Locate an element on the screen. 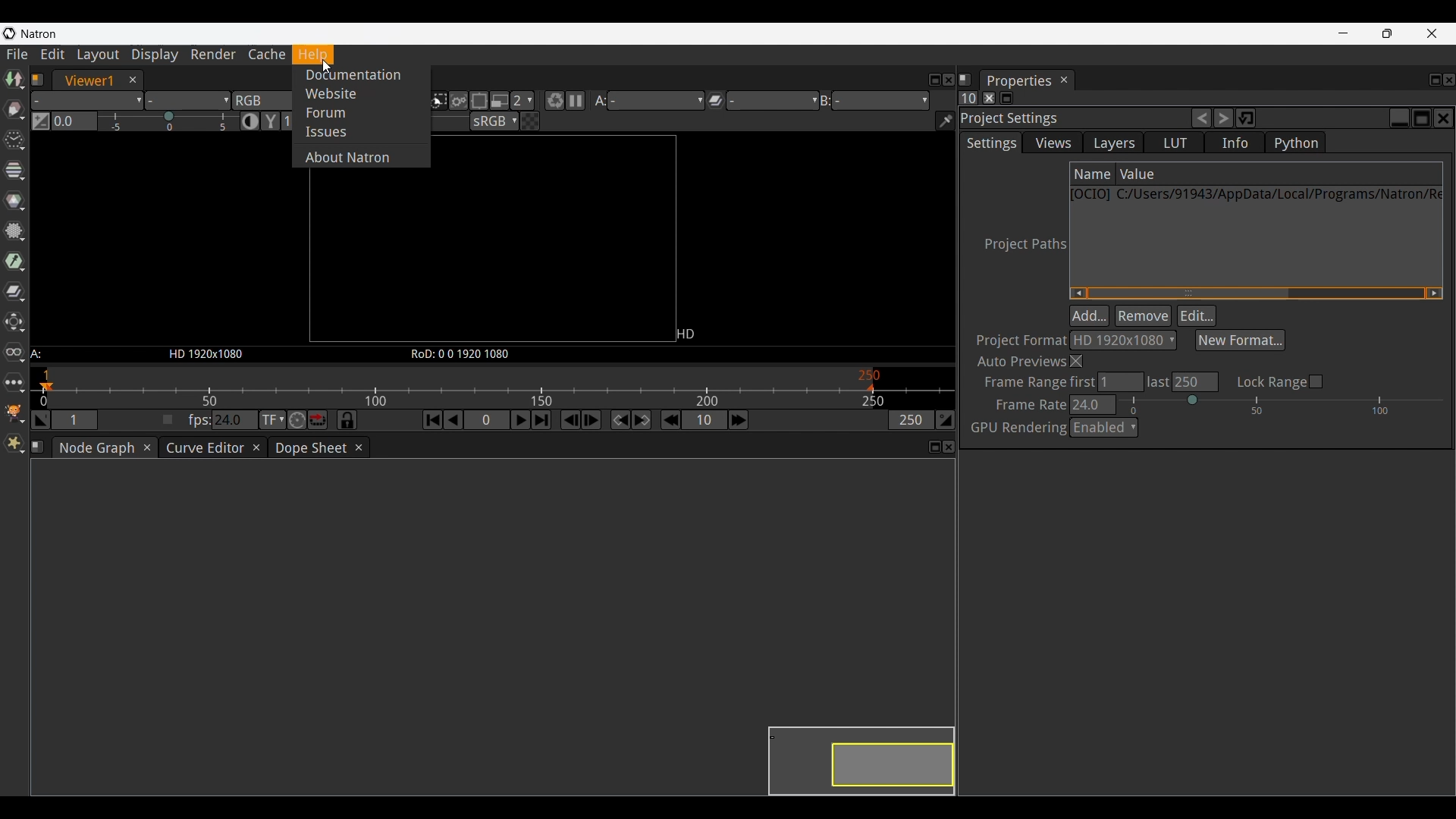 This screenshot has width=1456, height=819. Turbo mode is located at coordinates (297, 420).